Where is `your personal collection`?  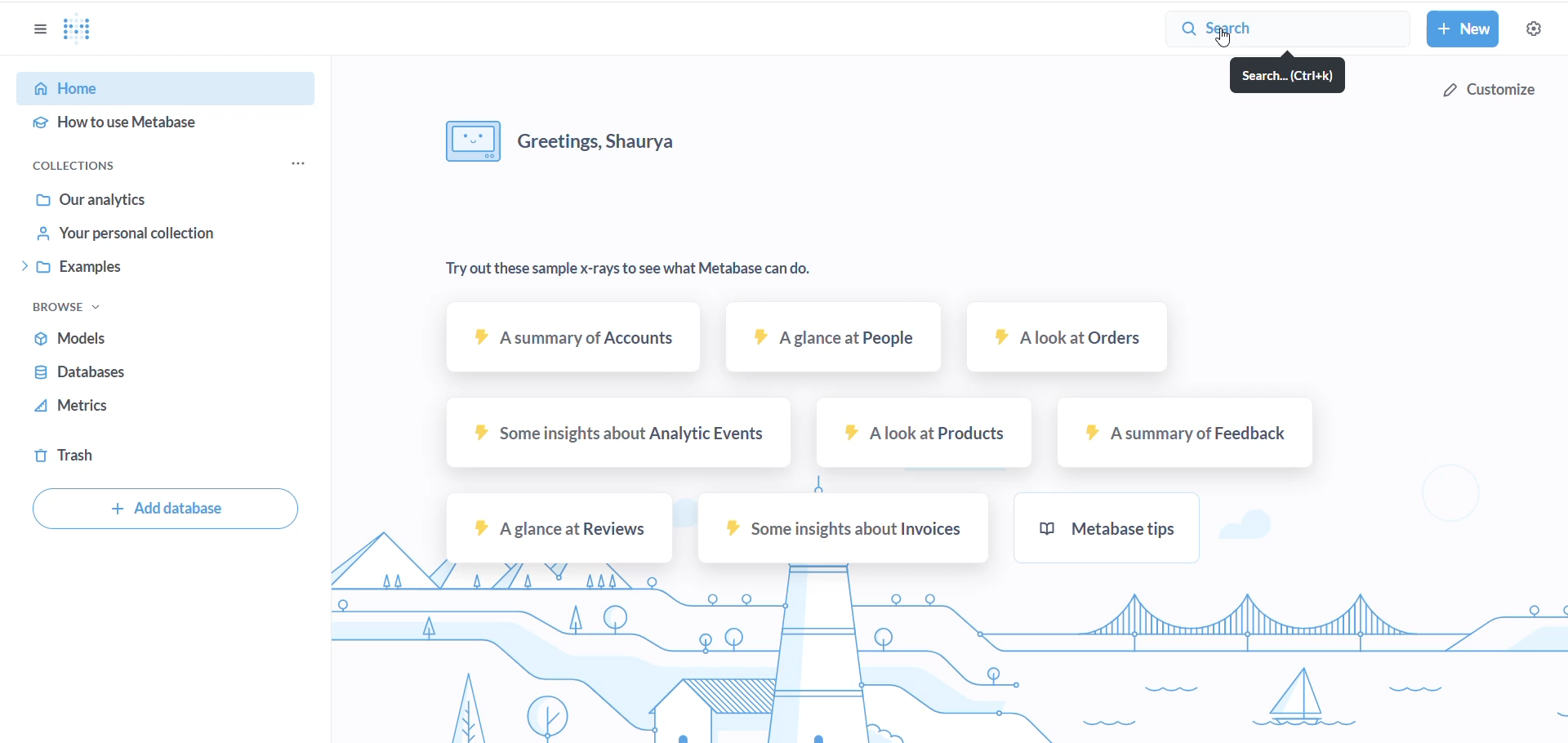
your personal collection is located at coordinates (167, 233).